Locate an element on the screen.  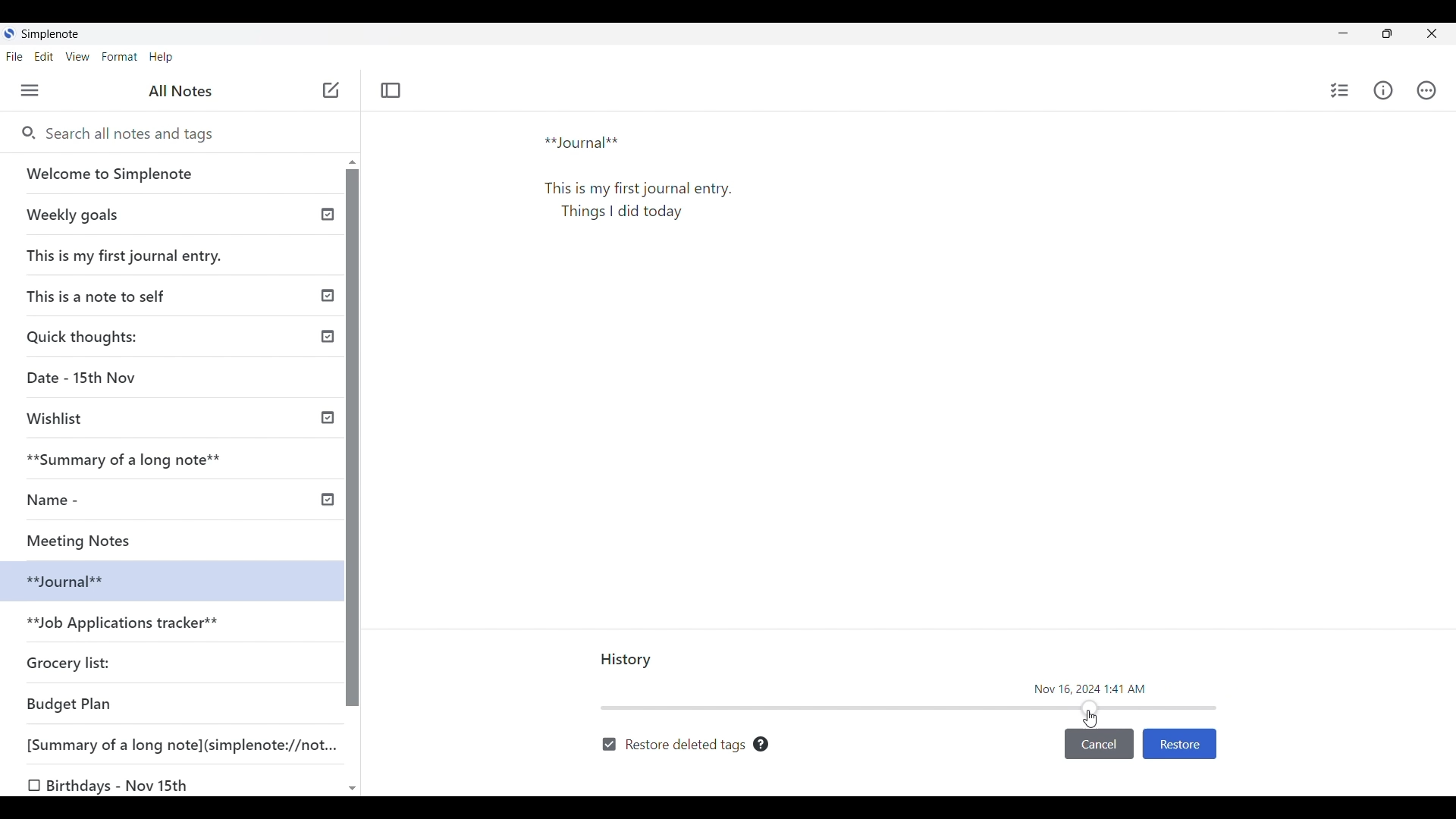
This is a note to self is located at coordinates (102, 295).